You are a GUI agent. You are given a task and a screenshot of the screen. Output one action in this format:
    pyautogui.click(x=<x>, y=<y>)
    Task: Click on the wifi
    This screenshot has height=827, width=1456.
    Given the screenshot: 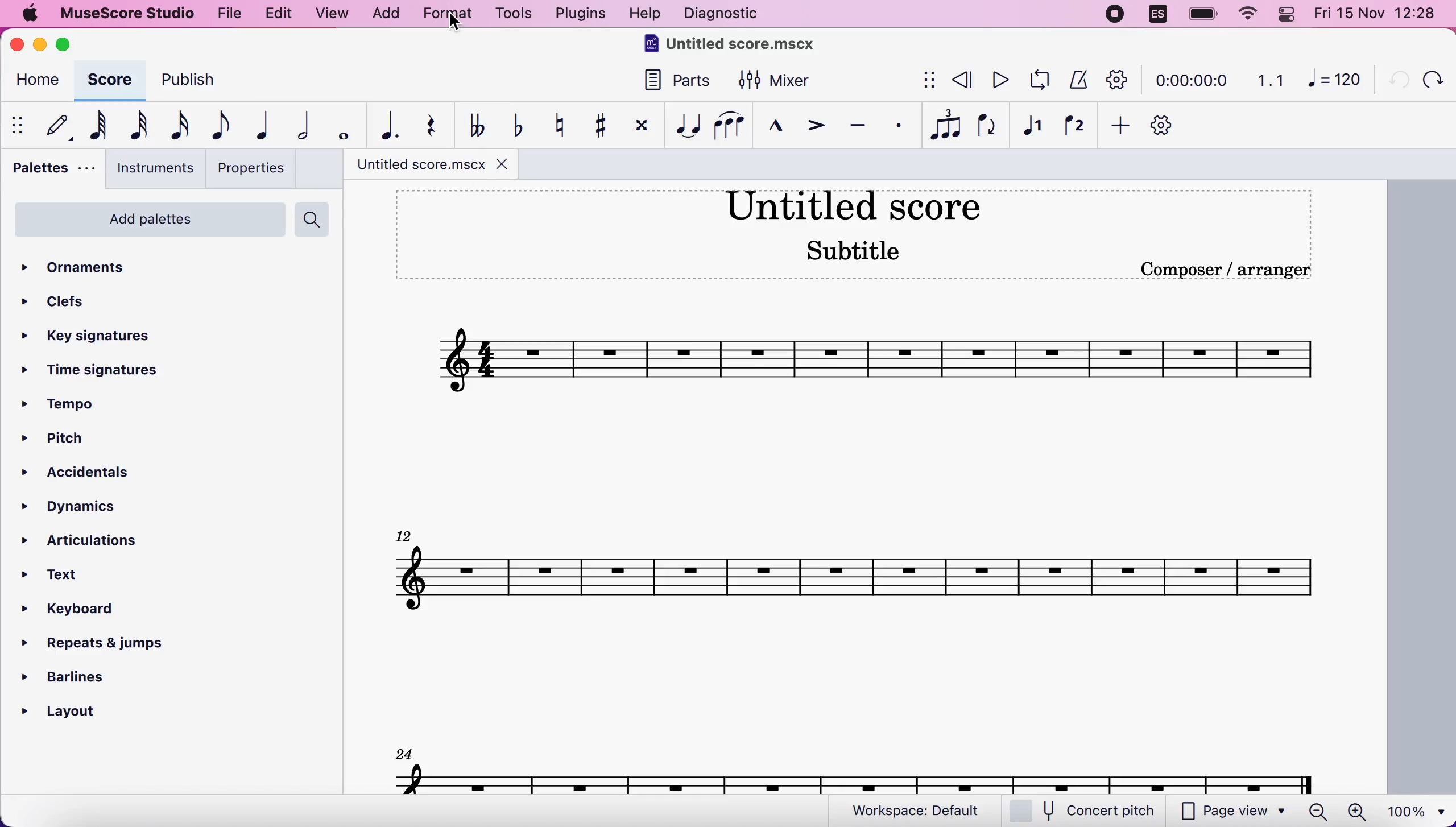 What is the action you would take?
    pyautogui.click(x=1246, y=14)
    